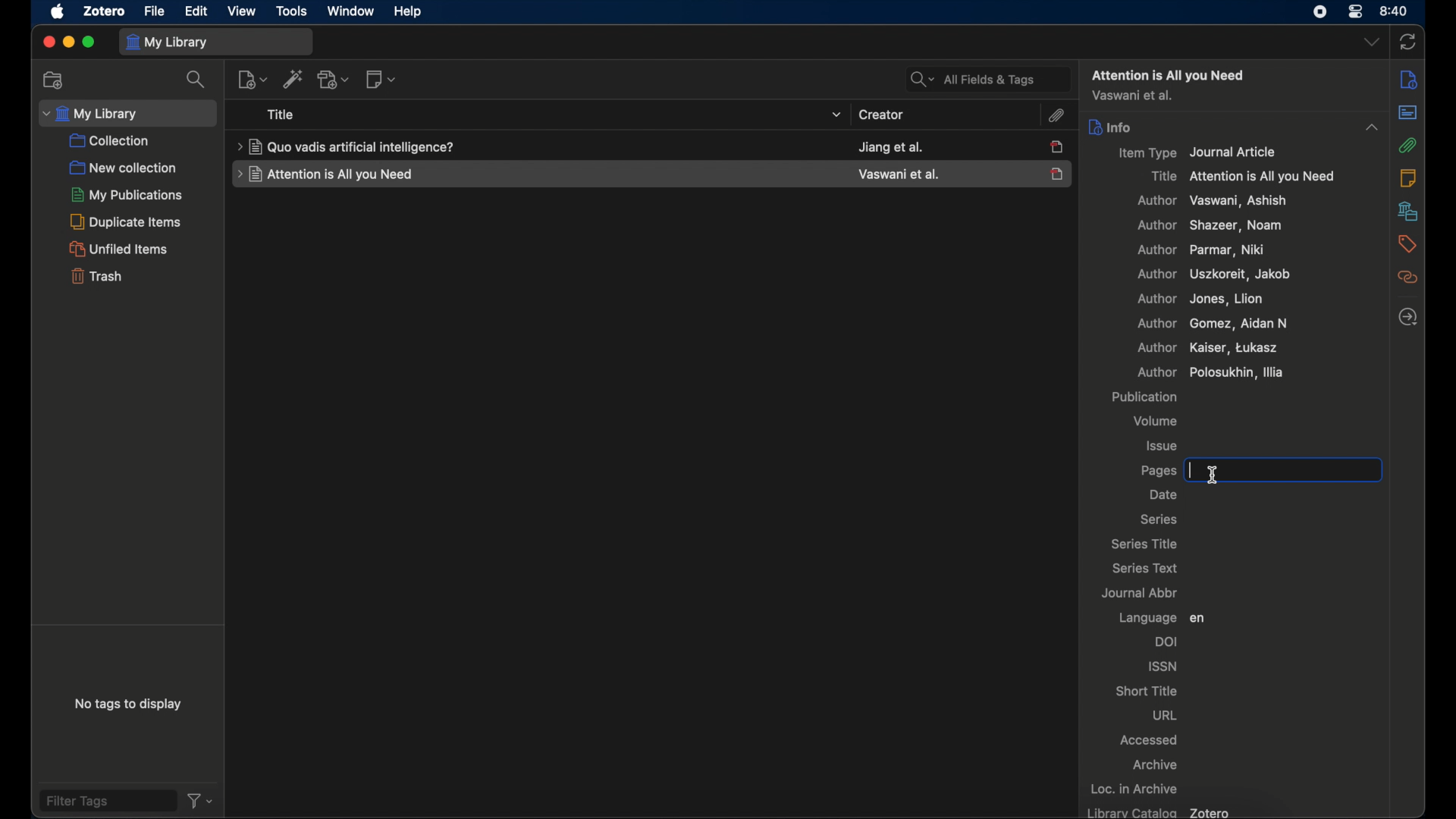 Image resolution: width=1456 pixels, height=819 pixels. I want to click on related, so click(1407, 278).